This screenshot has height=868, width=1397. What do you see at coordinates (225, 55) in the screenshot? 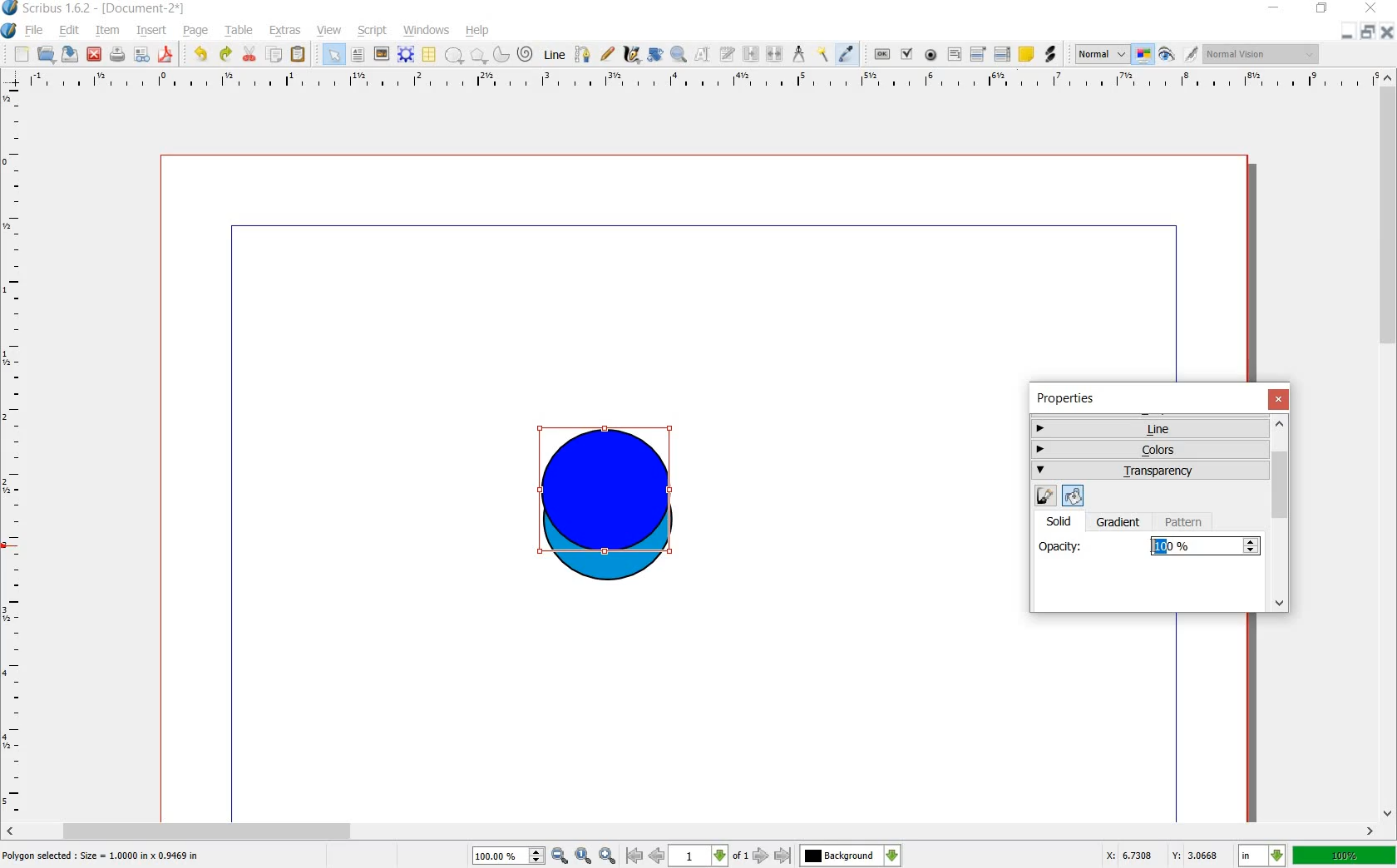
I see `redo` at bounding box center [225, 55].